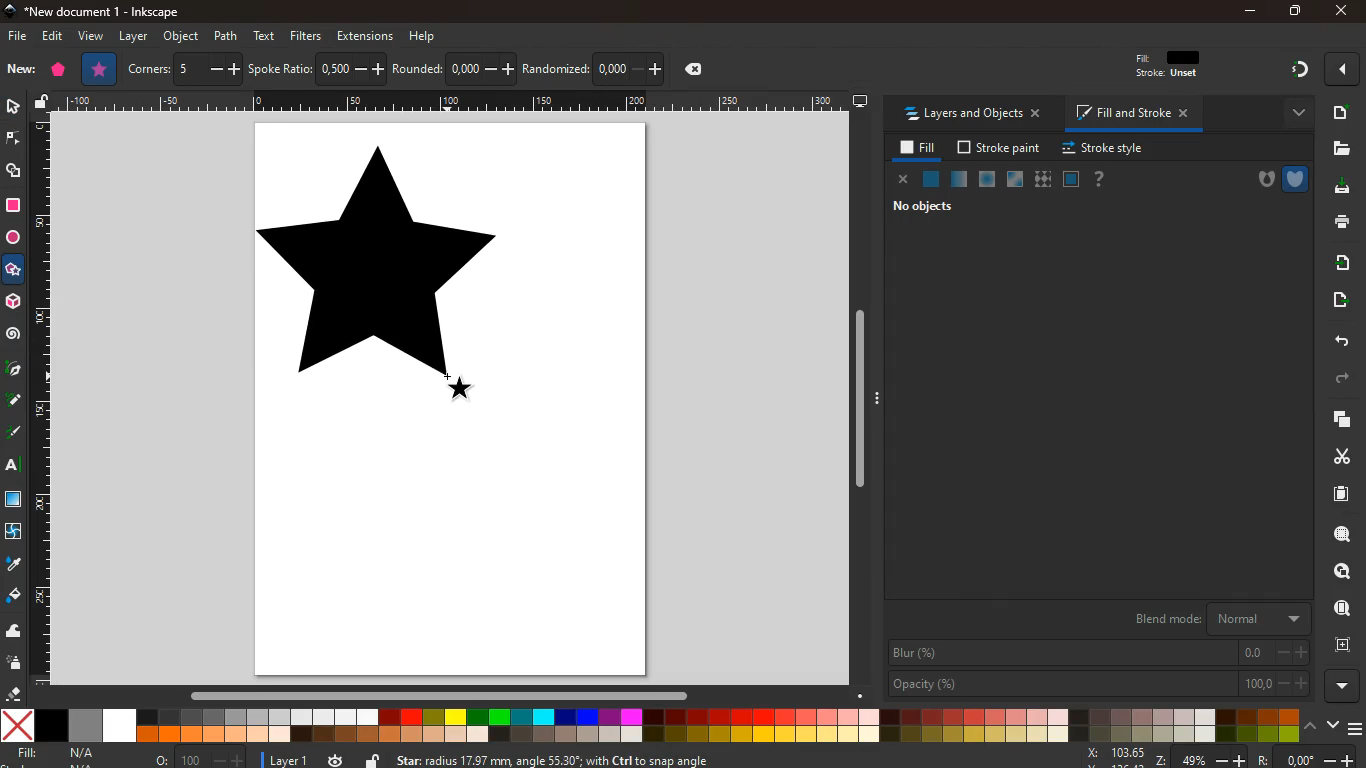 The image size is (1366, 768). What do you see at coordinates (450, 699) in the screenshot?
I see `Horizontal scroll bar` at bounding box center [450, 699].